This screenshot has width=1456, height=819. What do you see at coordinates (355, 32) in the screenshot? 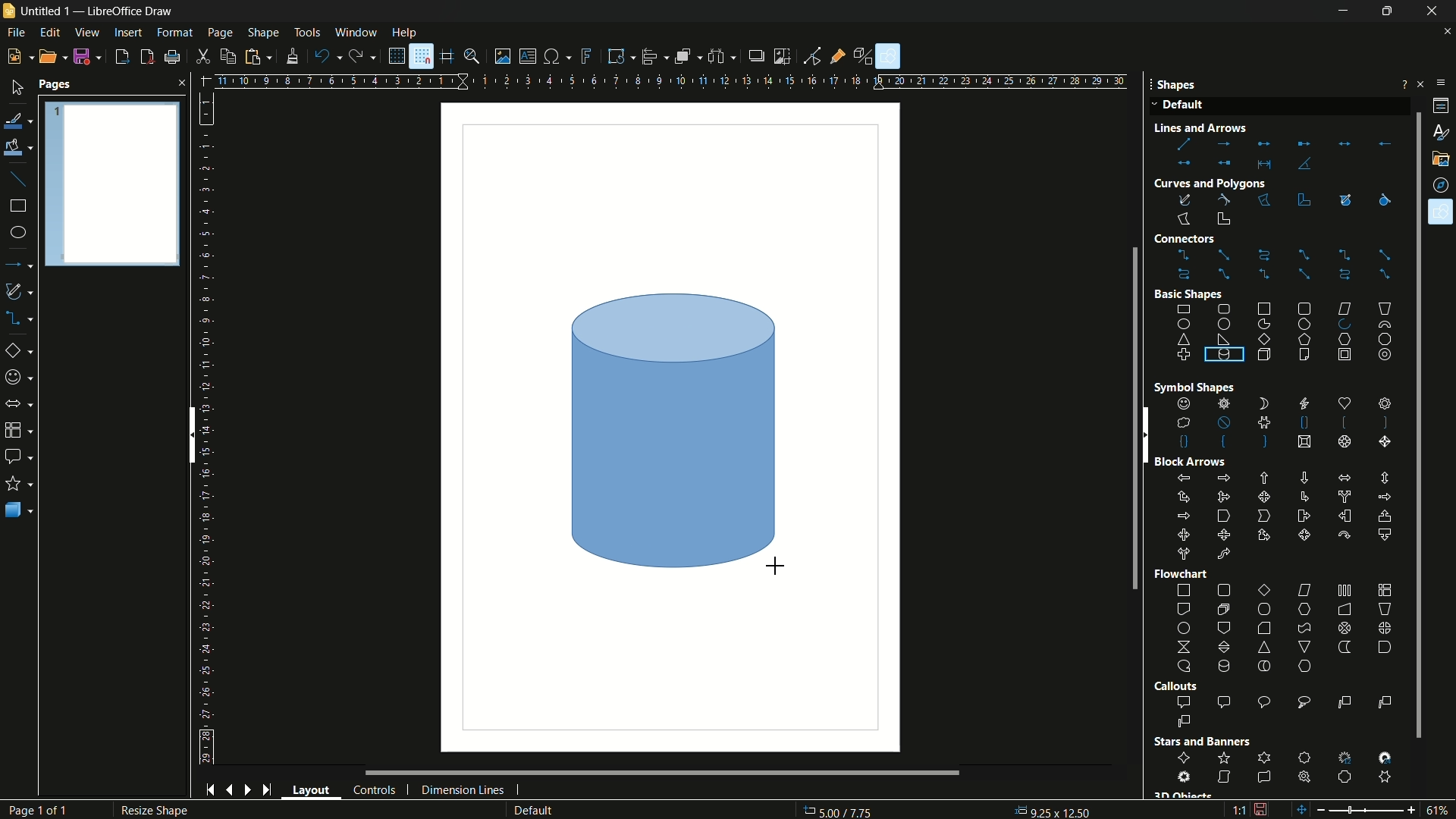
I see `window menu` at bounding box center [355, 32].